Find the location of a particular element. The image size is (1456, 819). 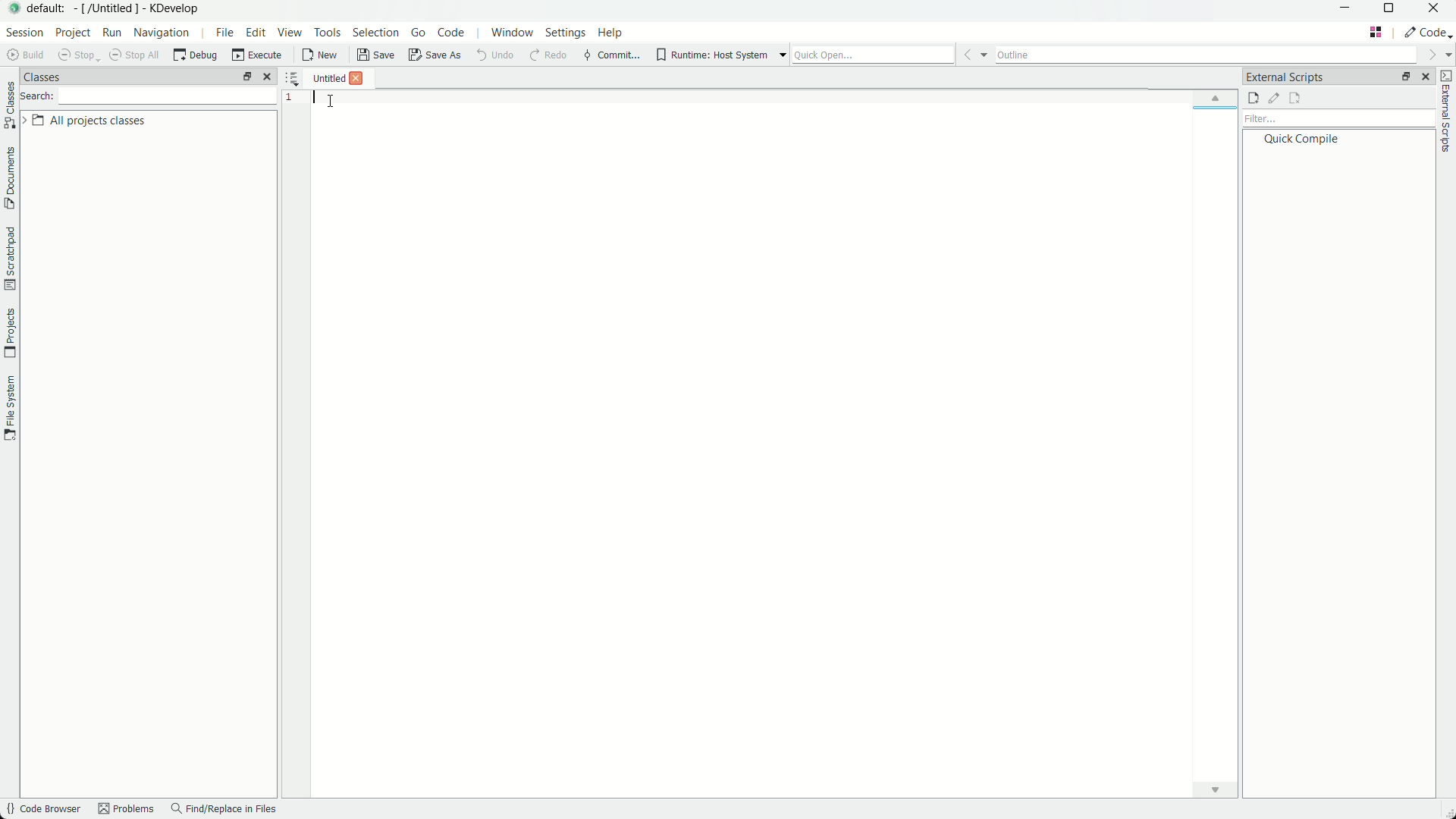

documents is located at coordinates (9, 177).